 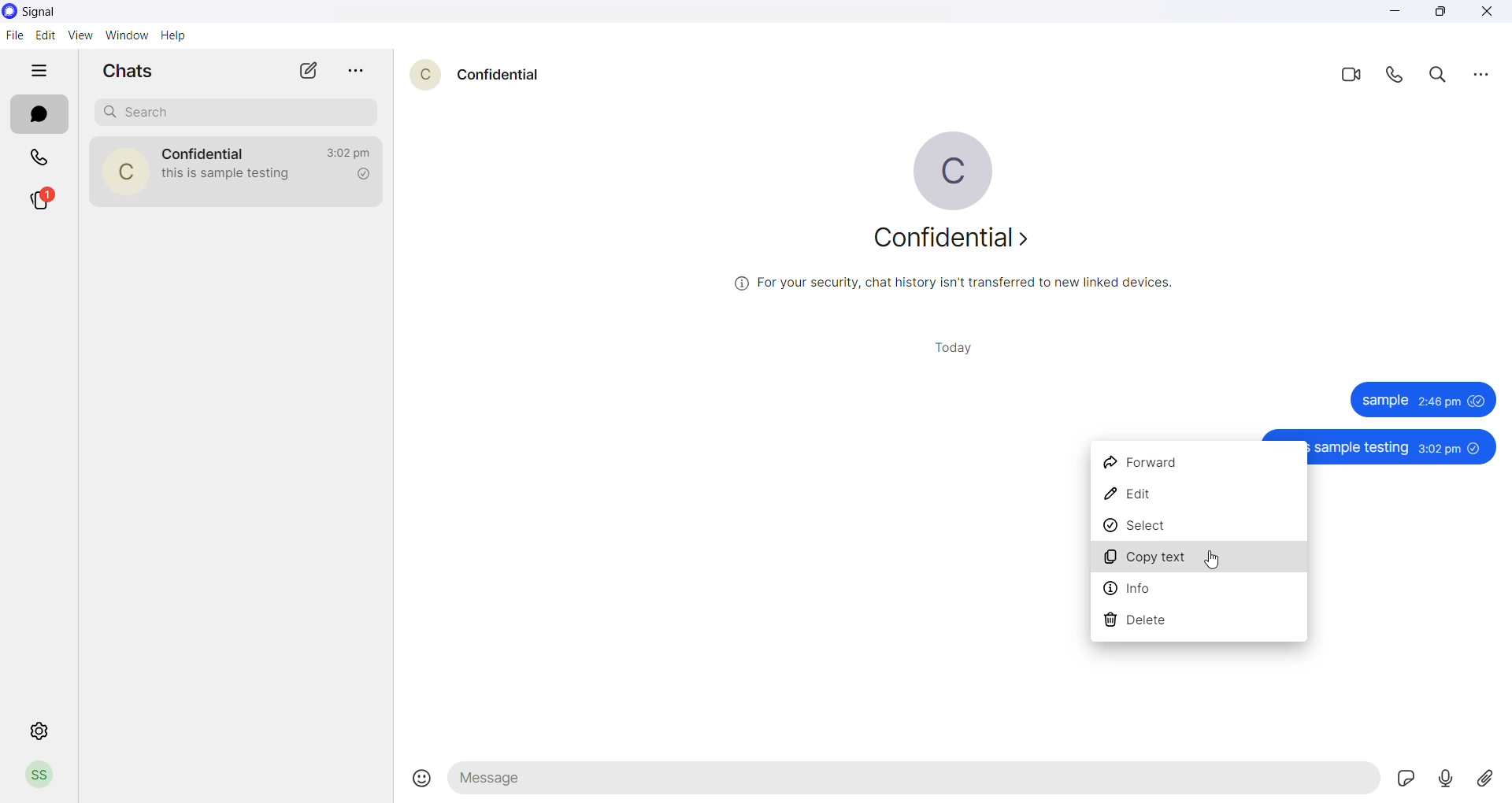 What do you see at coordinates (232, 176) in the screenshot?
I see `last message` at bounding box center [232, 176].